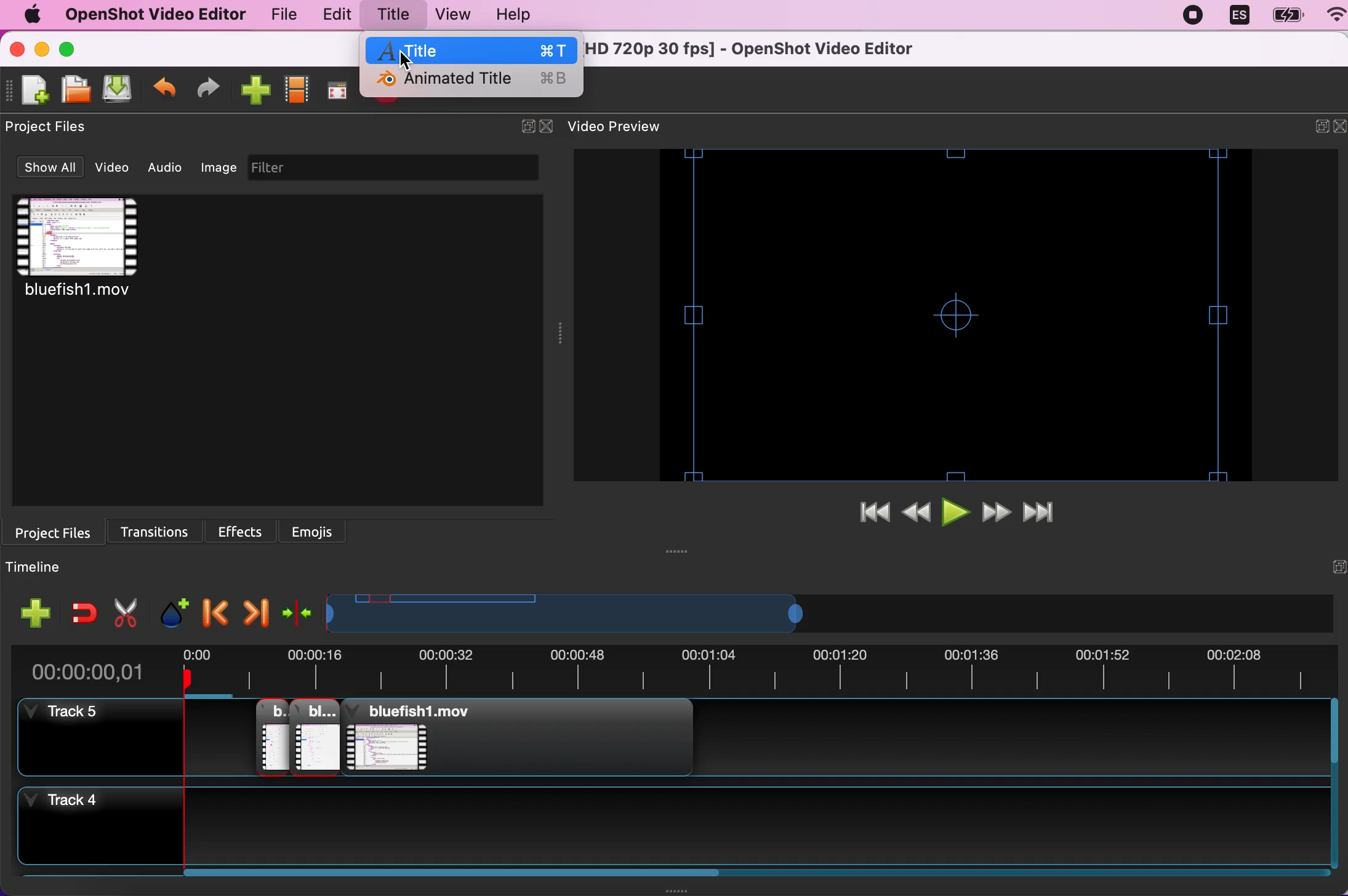 The height and width of the screenshot is (896, 1348). What do you see at coordinates (116, 90) in the screenshot?
I see `save project` at bounding box center [116, 90].